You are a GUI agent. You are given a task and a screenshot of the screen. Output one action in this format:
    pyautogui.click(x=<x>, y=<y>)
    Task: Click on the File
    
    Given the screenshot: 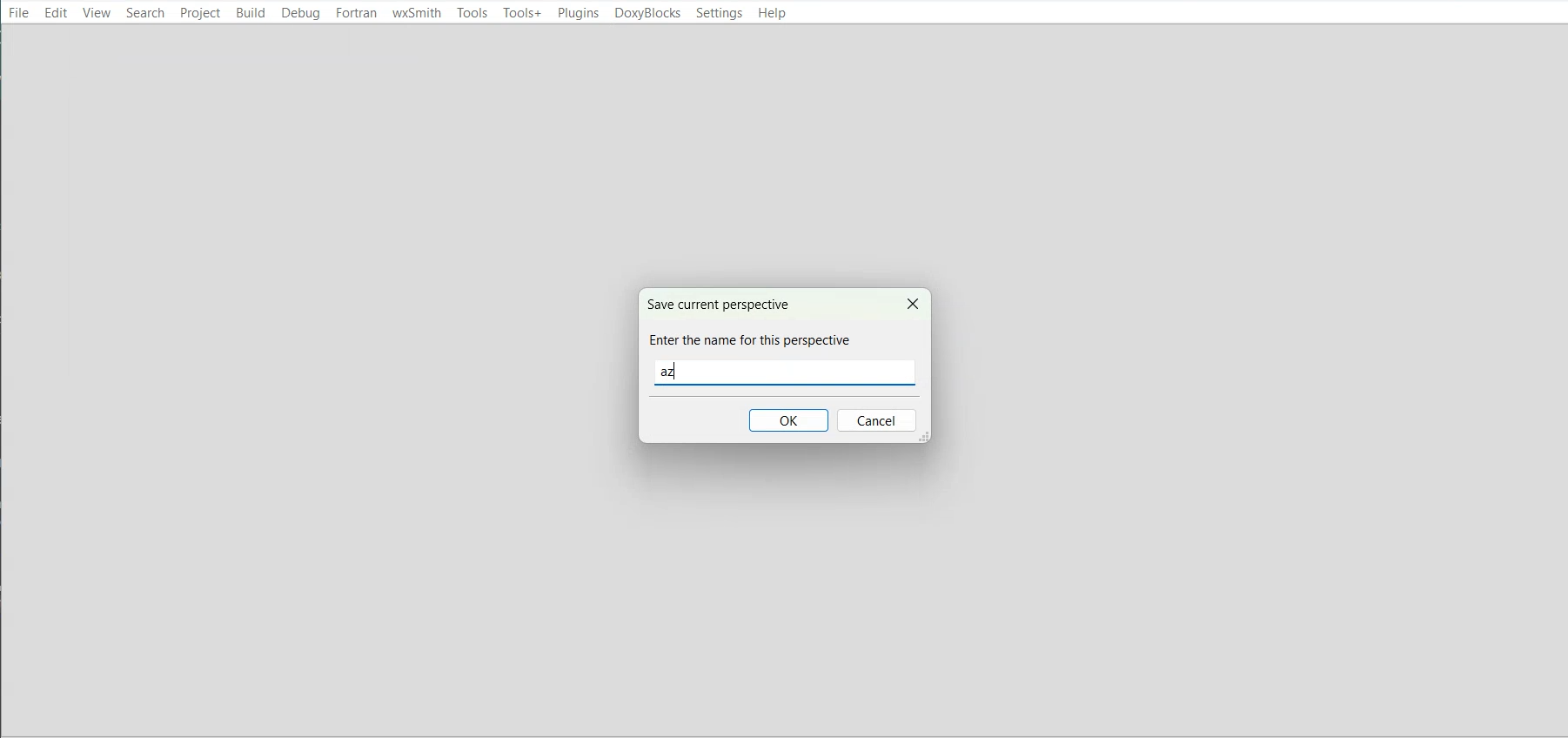 What is the action you would take?
    pyautogui.click(x=19, y=11)
    